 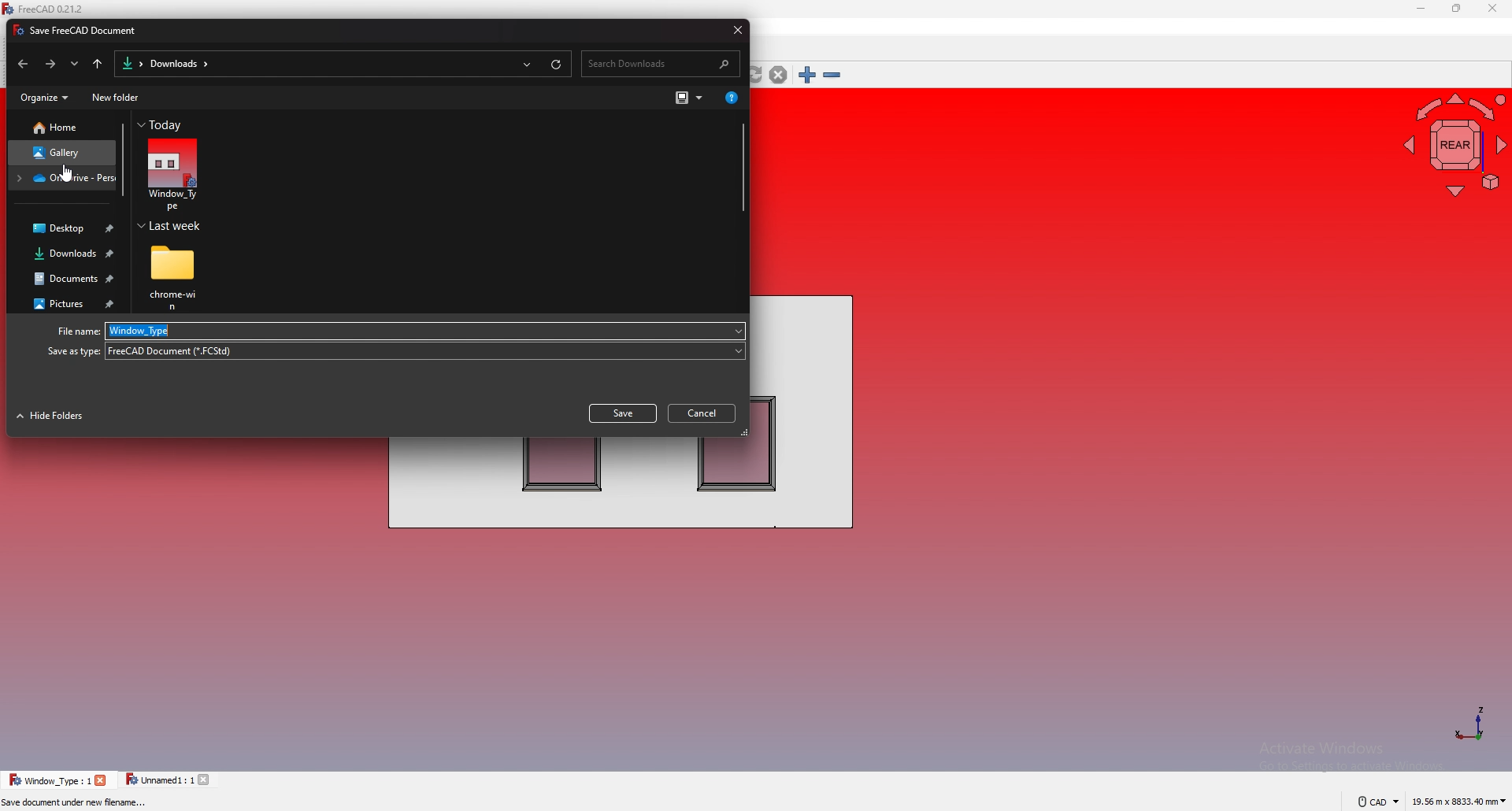 I want to click on resize, so click(x=1456, y=9).